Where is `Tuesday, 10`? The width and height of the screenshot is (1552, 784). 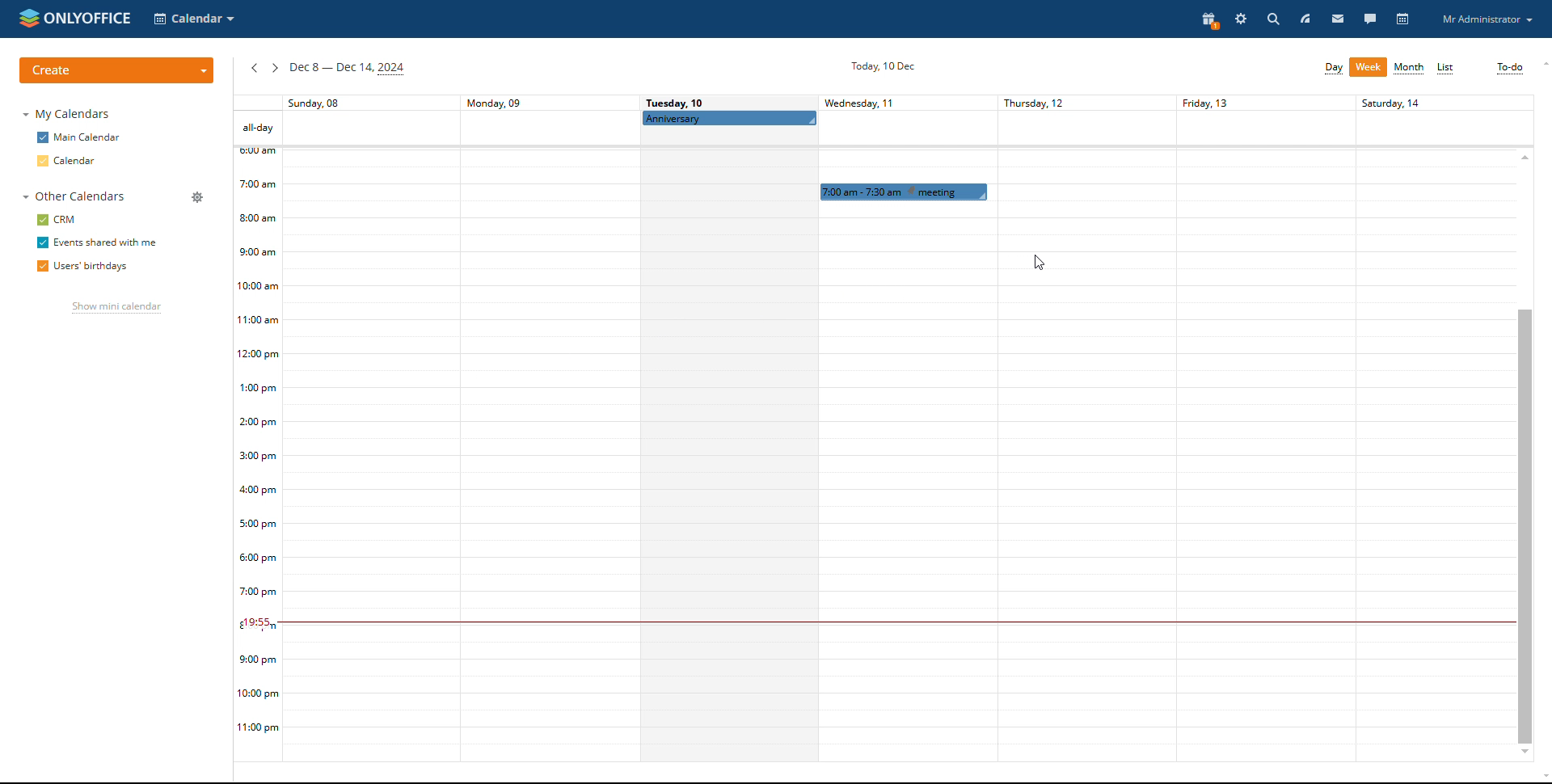 Tuesday, 10 is located at coordinates (677, 102).